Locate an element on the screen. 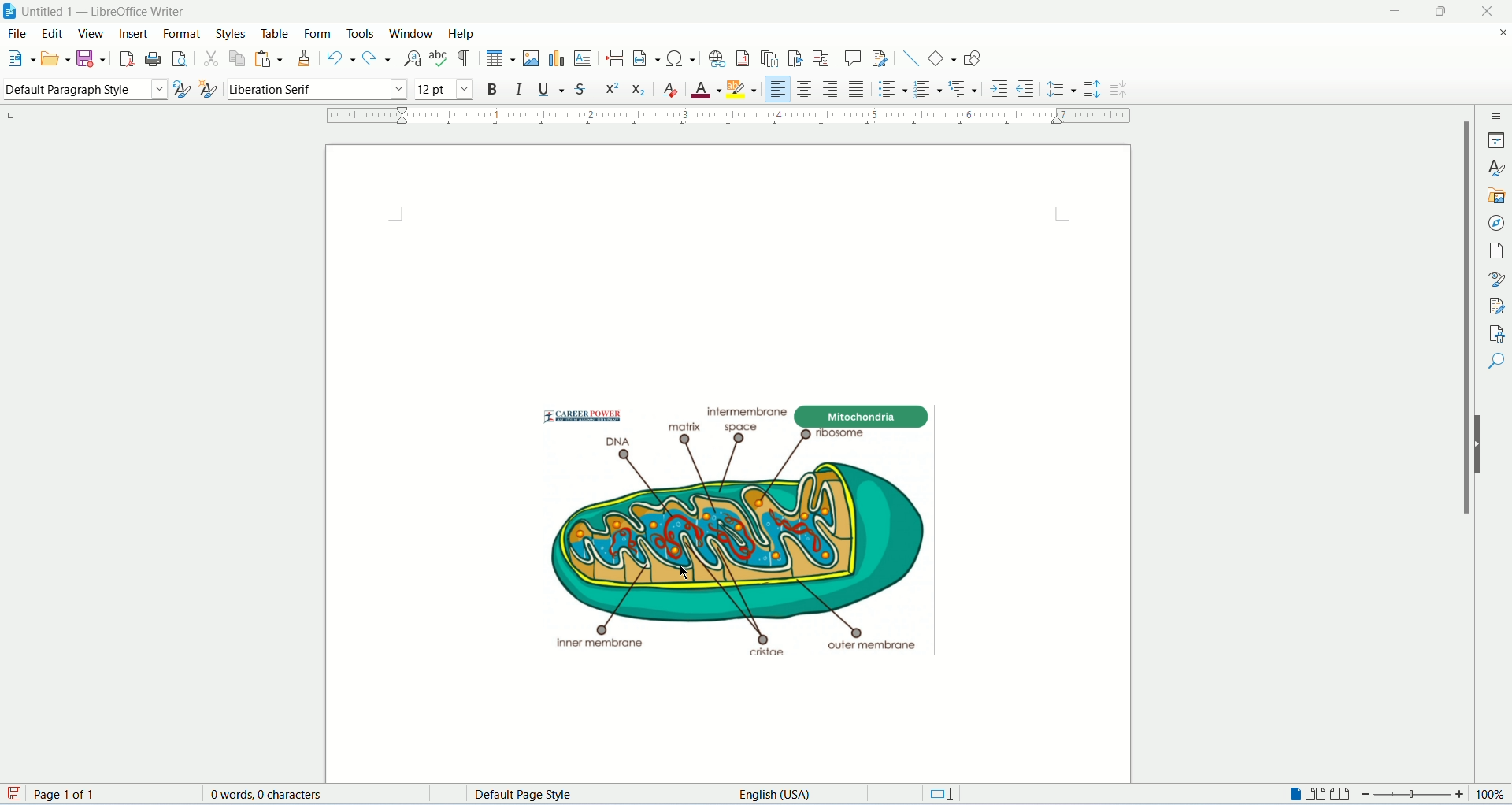 Image resolution: width=1512 pixels, height=805 pixels. formatting marks is located at coordinates (466, 59).